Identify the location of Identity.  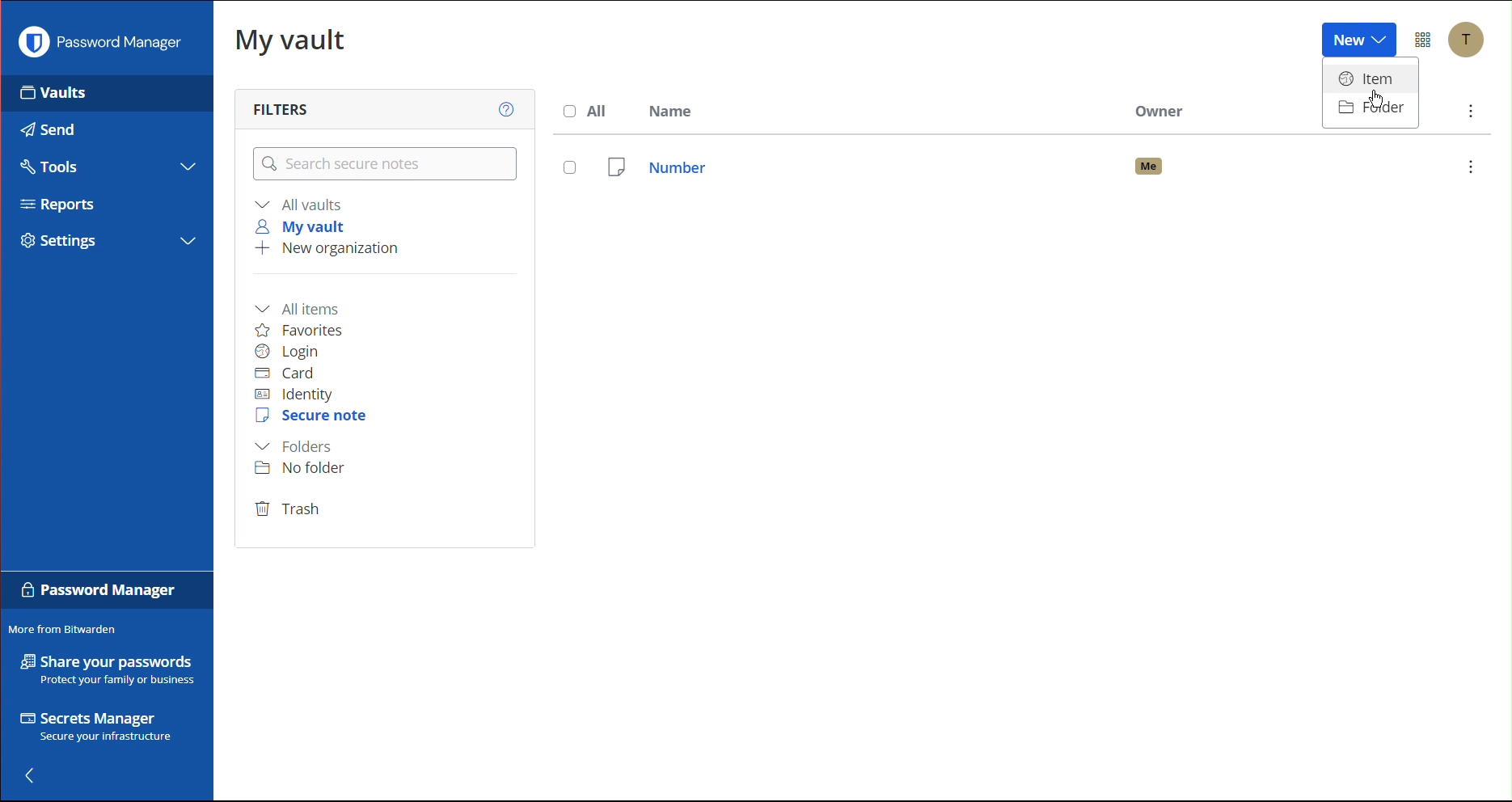
(294, 395).